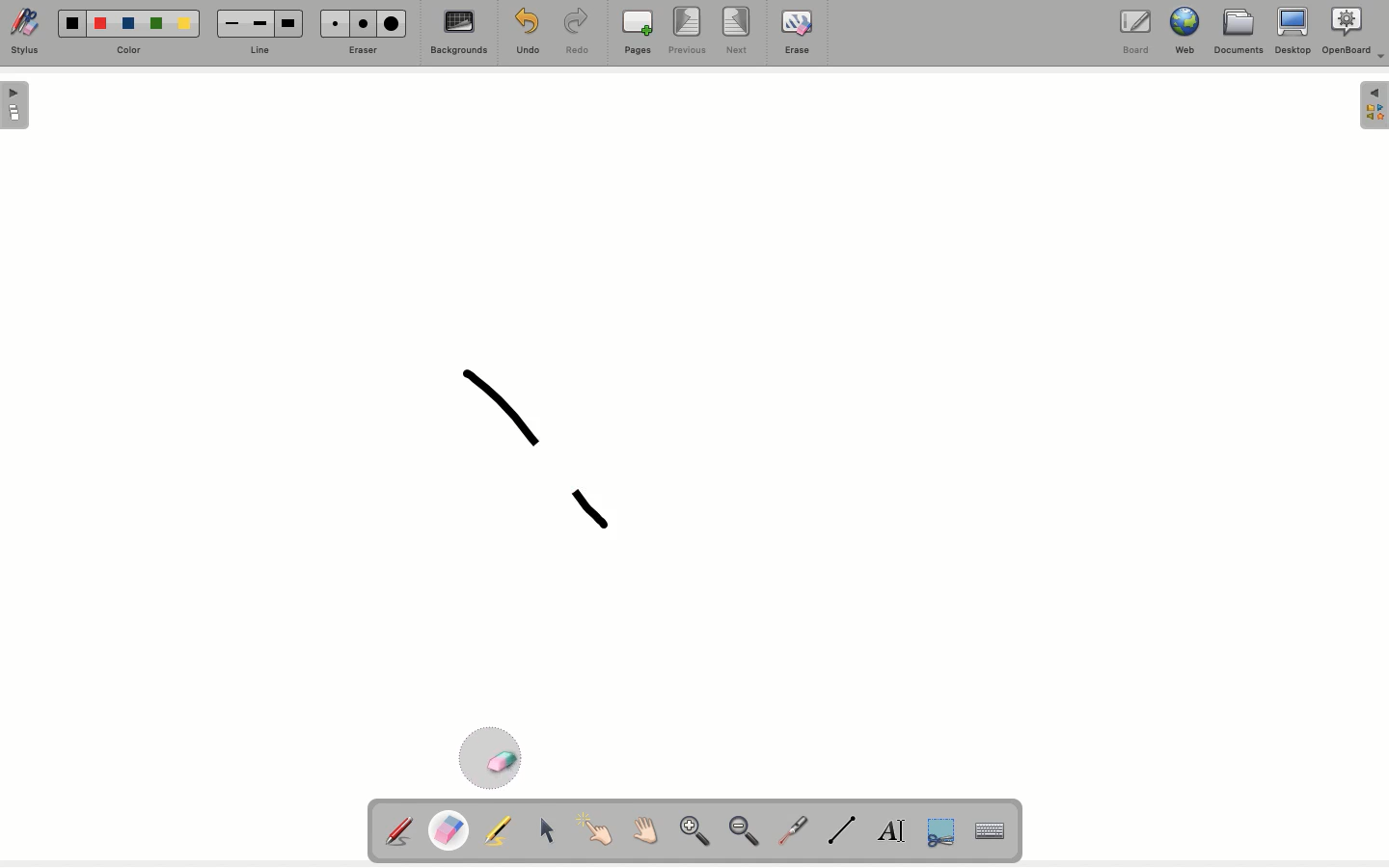  Describe the element at coordinates (460, 36) in the screenshot. I see `Backgrounds` at that location.